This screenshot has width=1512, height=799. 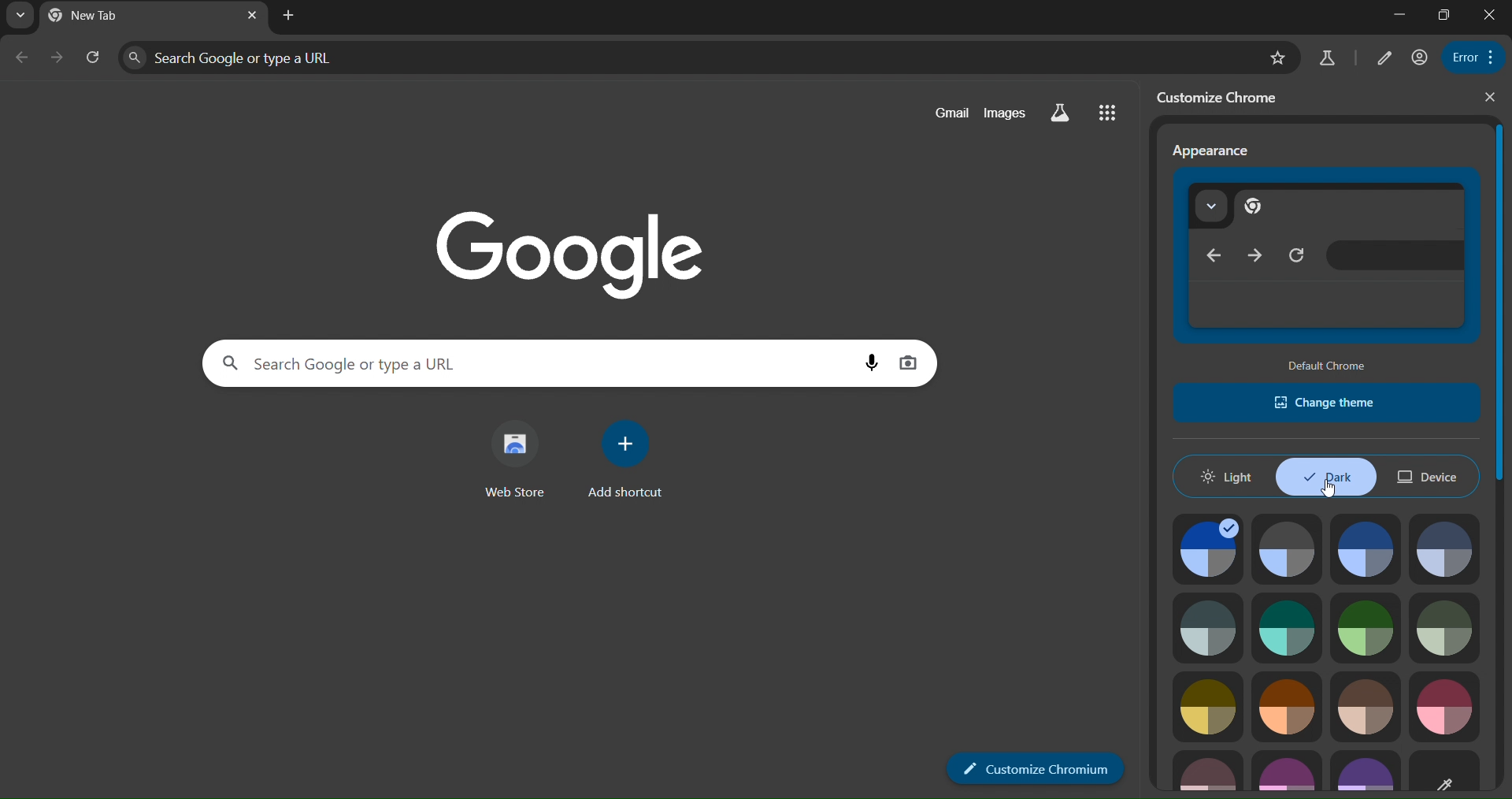 What do you see at coordinates (1287, 549) in the screenshot?
I see `theme icon` at bounding box center [1287, 549].